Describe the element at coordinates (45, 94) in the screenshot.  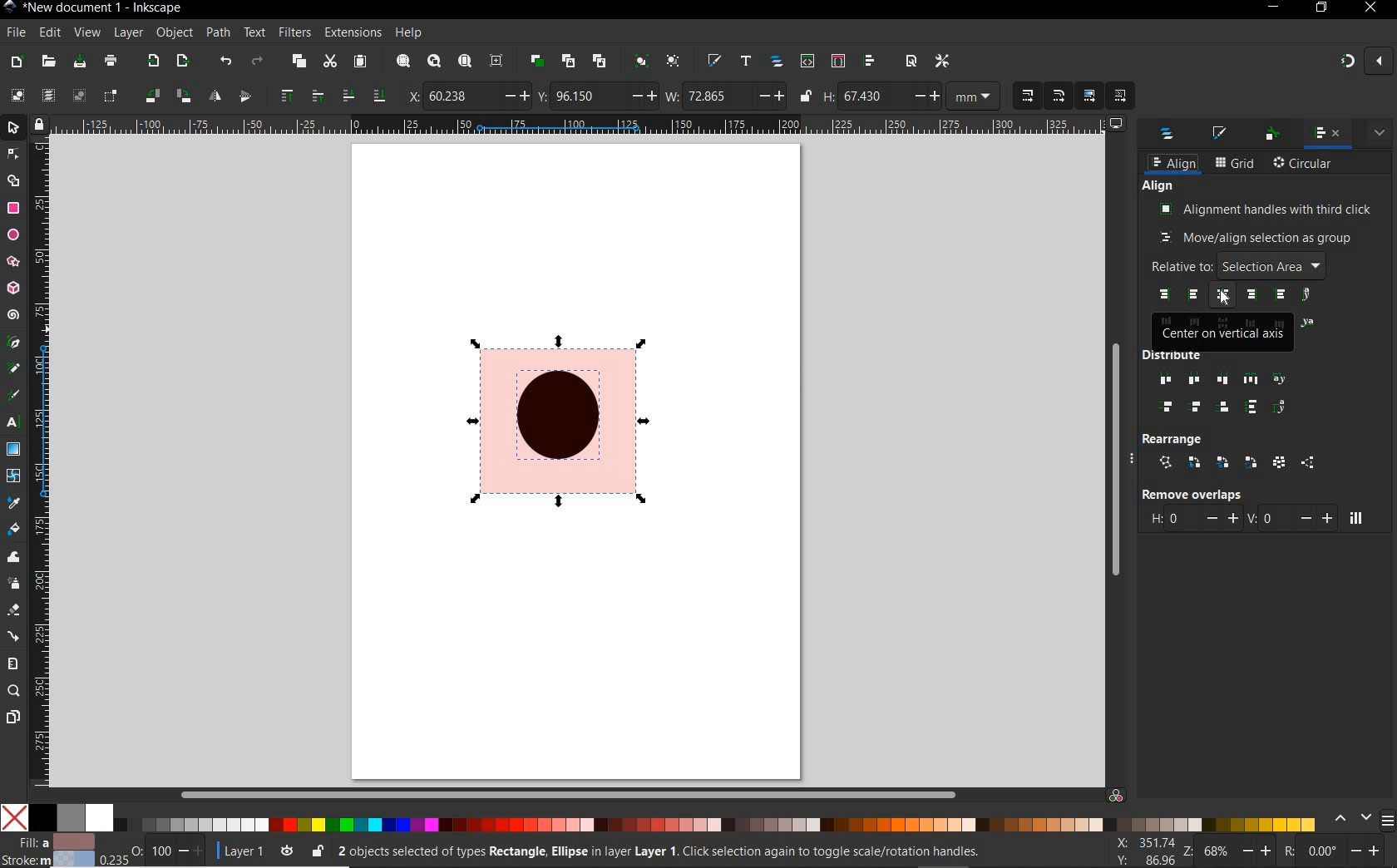
I see `select all in all layers` at that location.